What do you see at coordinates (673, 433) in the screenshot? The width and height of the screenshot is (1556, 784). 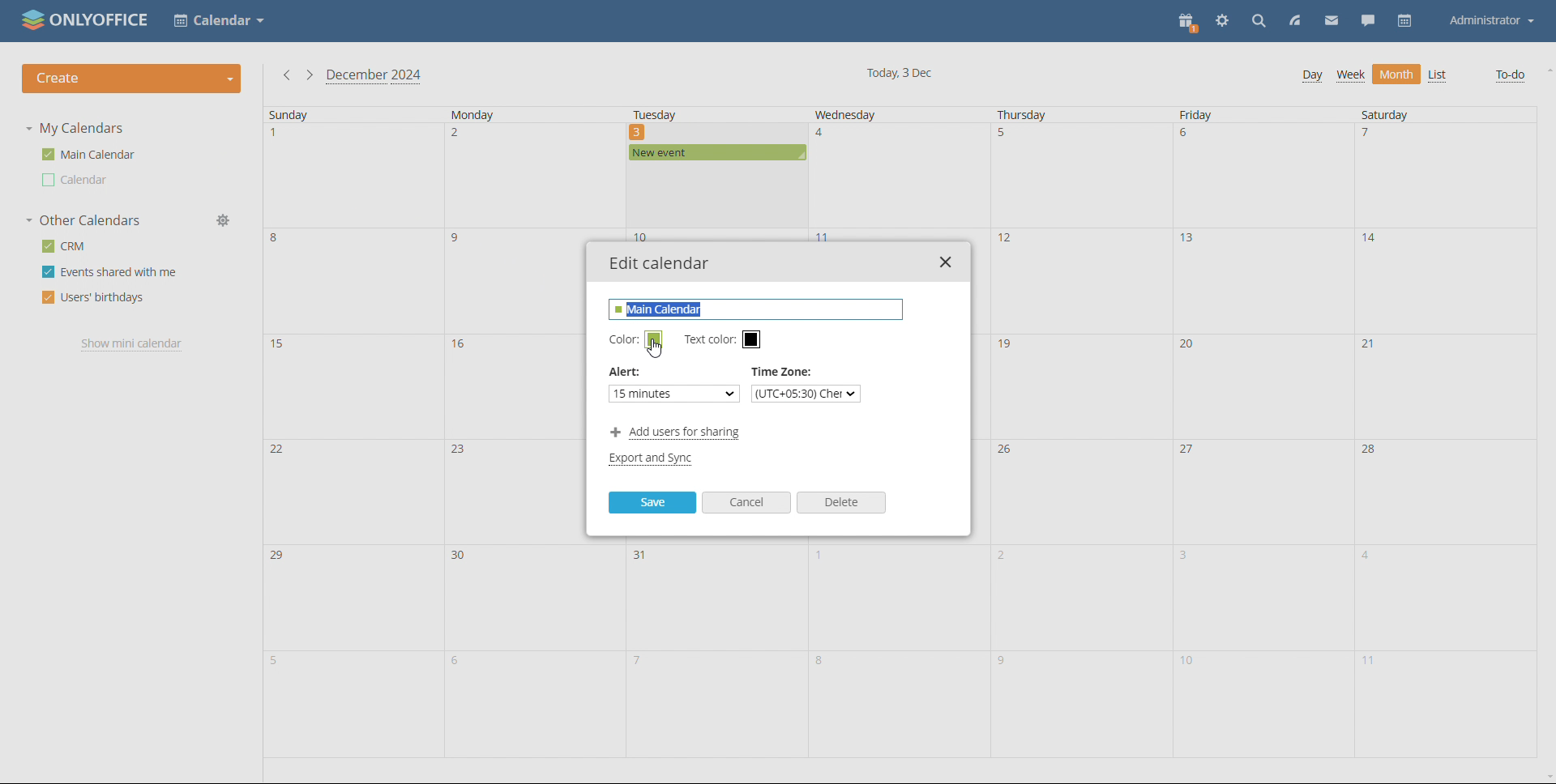 I see `add users for sharing` at bounding box center [673, 433].